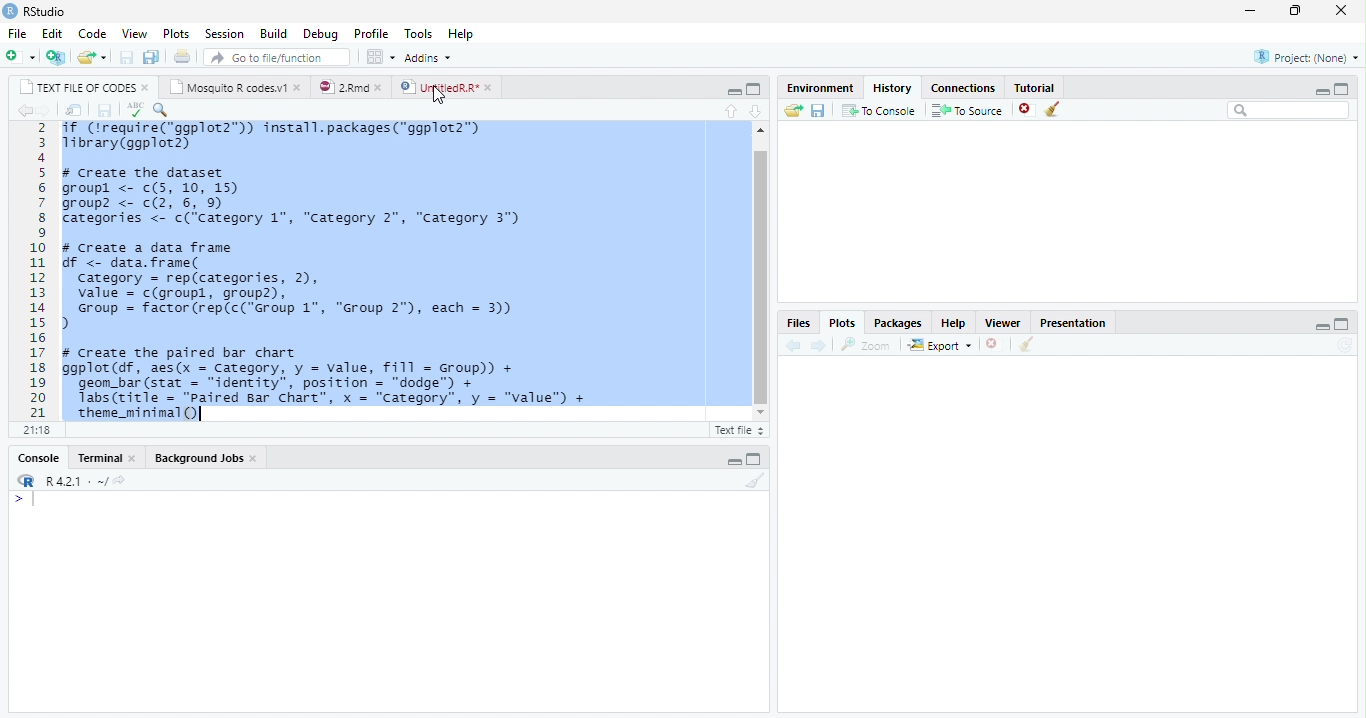  What do you see at coordinates (222, 33) in the screenshot?
I see `session` at bounding box center [222, 33].